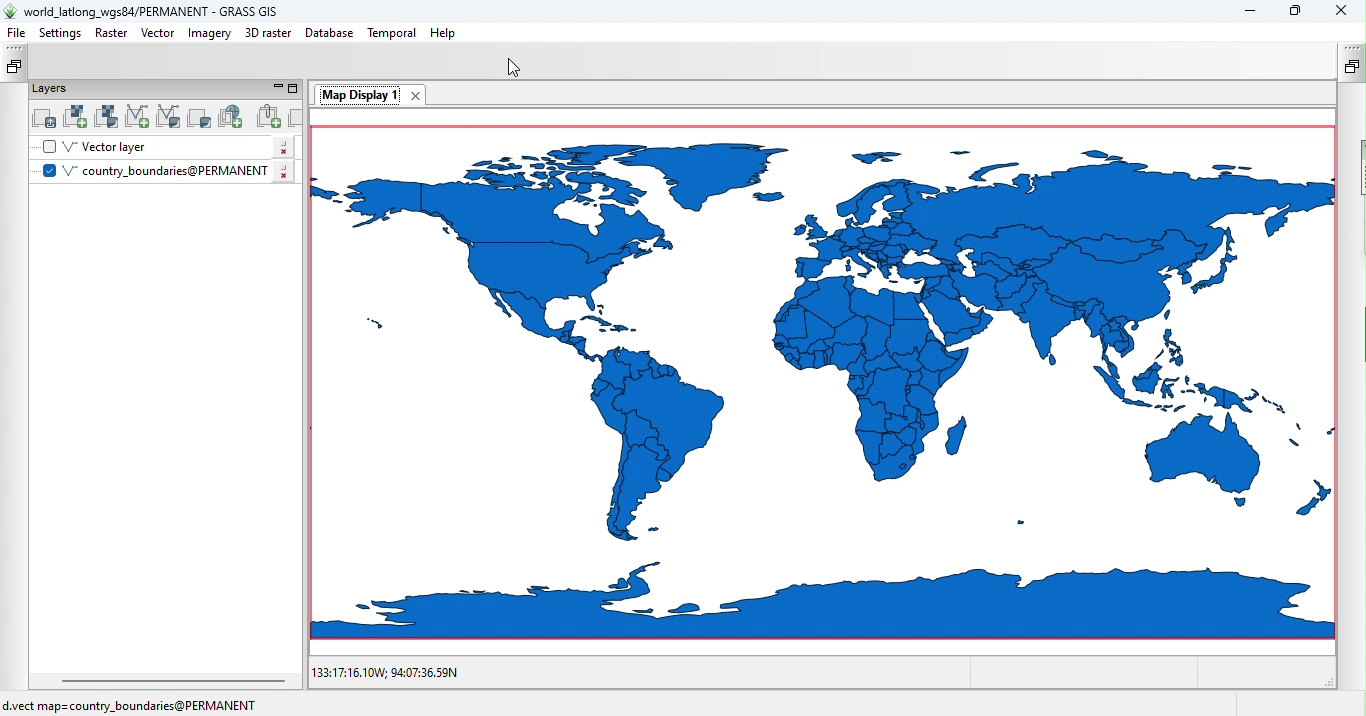 The width and height of the screenshot is (1366, 716). What do you see at coordinates (61, 32) in the screenshot?
I see `Settings` at bounding box center [61, 32].